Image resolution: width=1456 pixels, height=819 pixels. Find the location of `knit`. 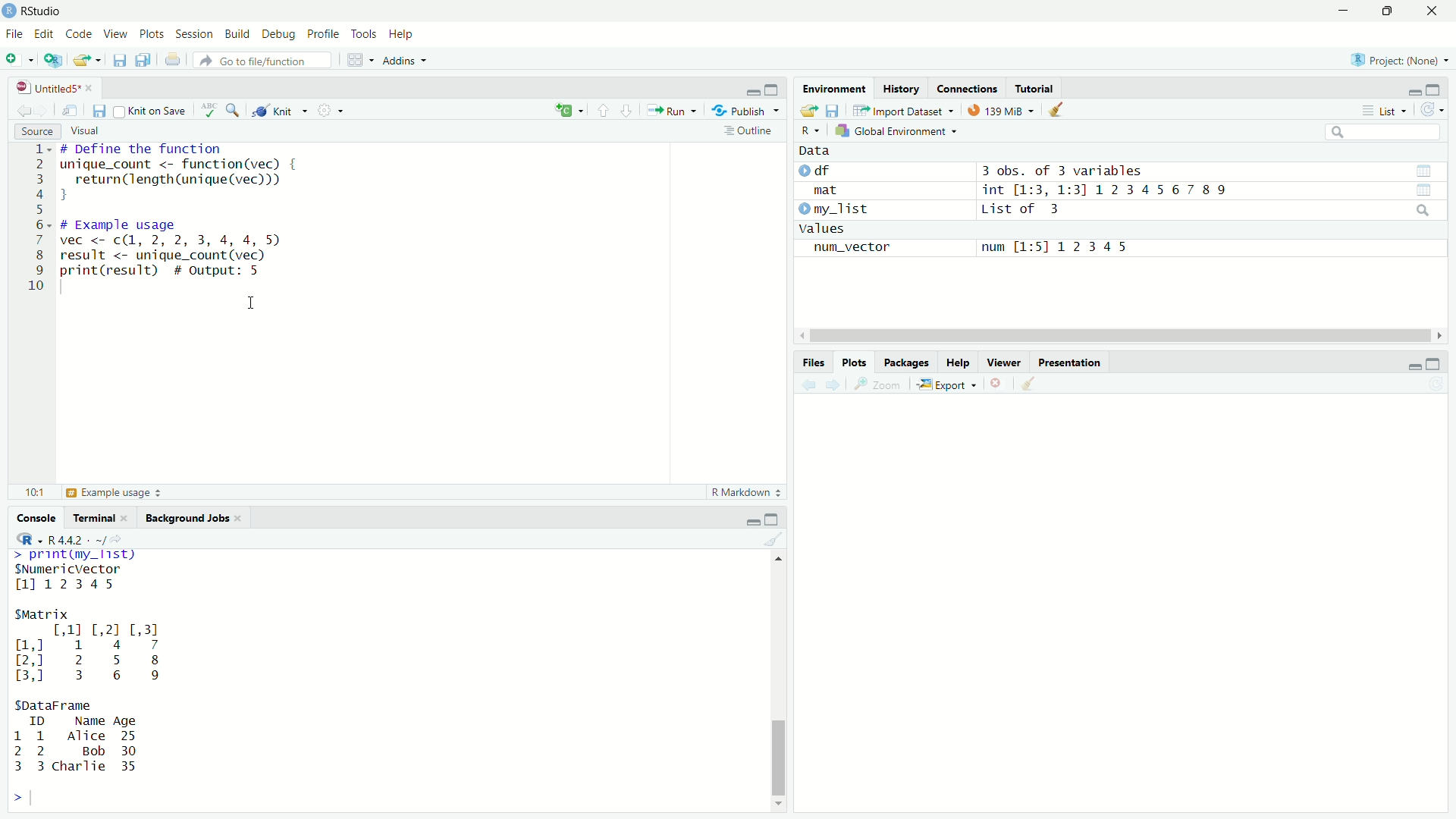

knit is located at coordinates (280, 111).